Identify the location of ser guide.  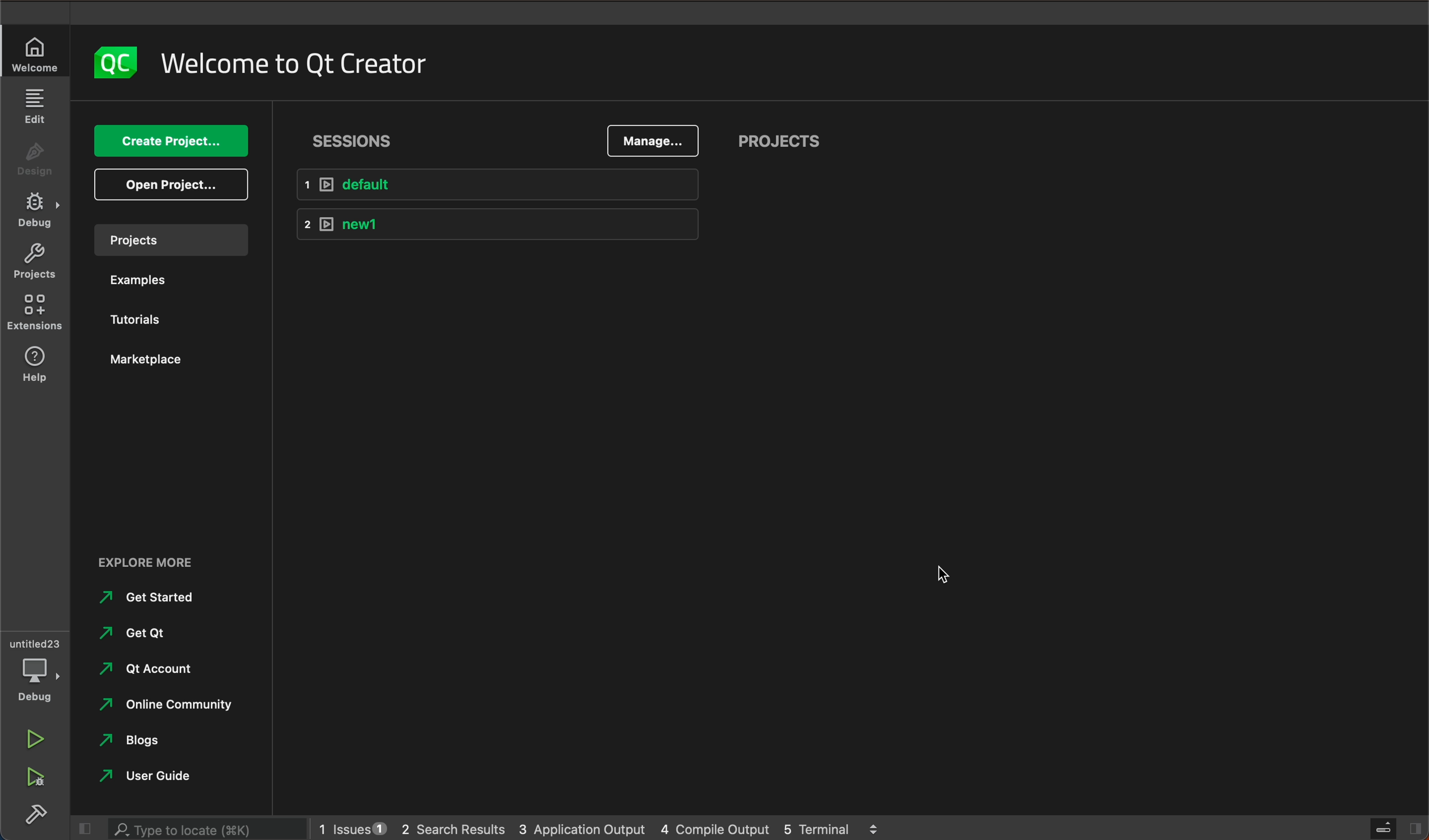
(150, 775).